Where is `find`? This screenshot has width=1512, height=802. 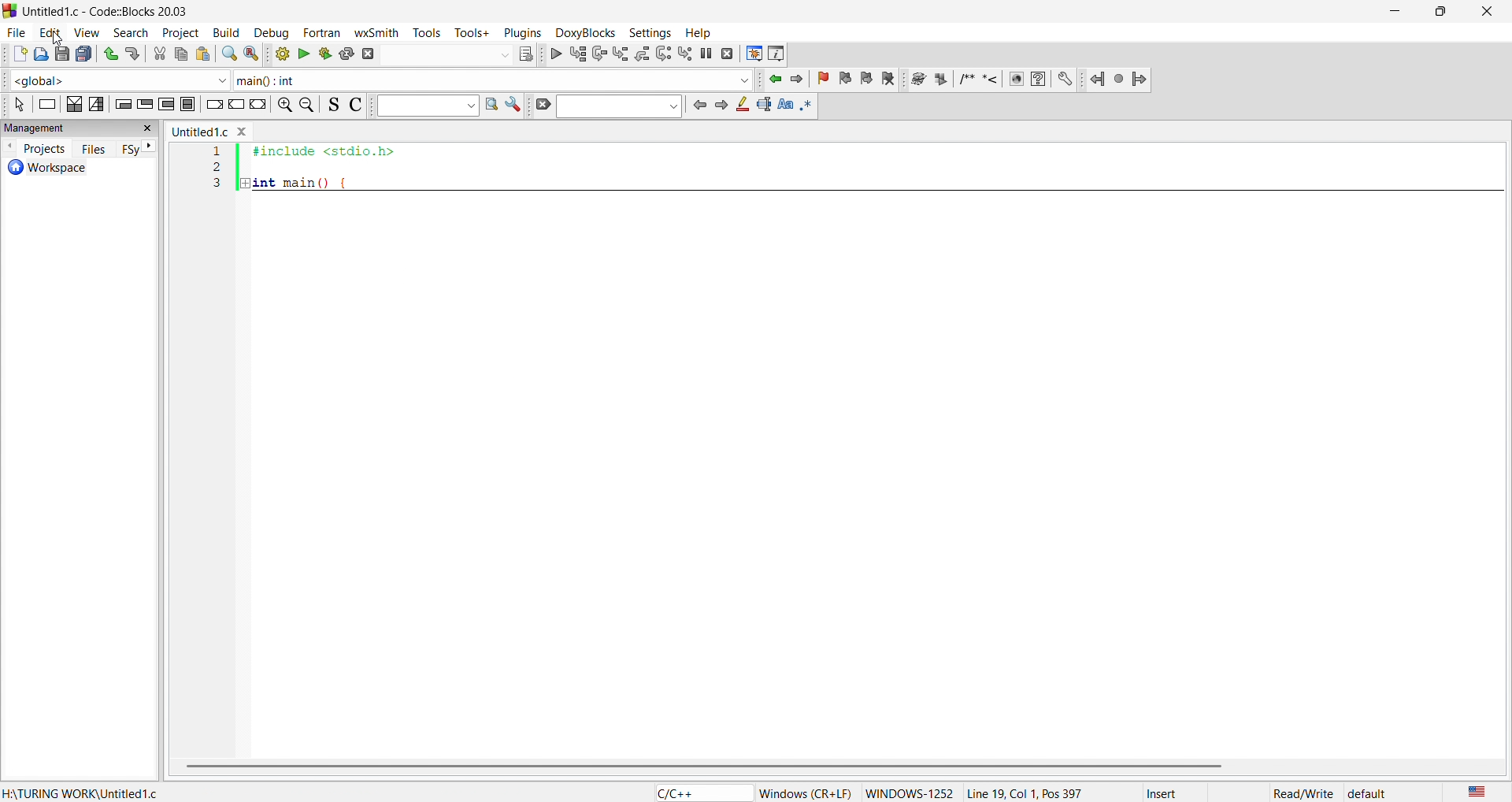 find is located at coordinates (228, 54).